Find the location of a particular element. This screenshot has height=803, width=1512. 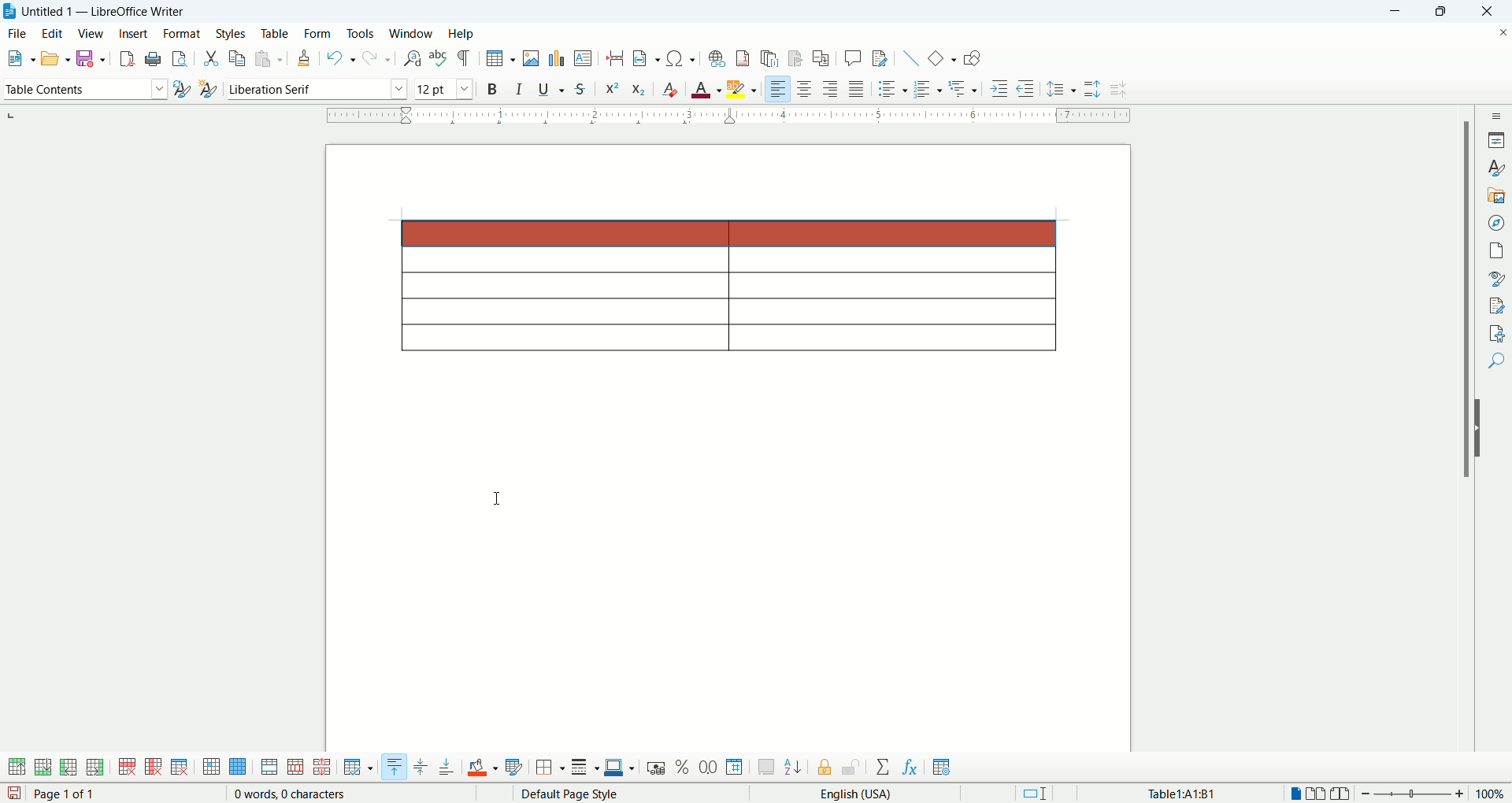

insert footnote is located at coordinates (746, 57).